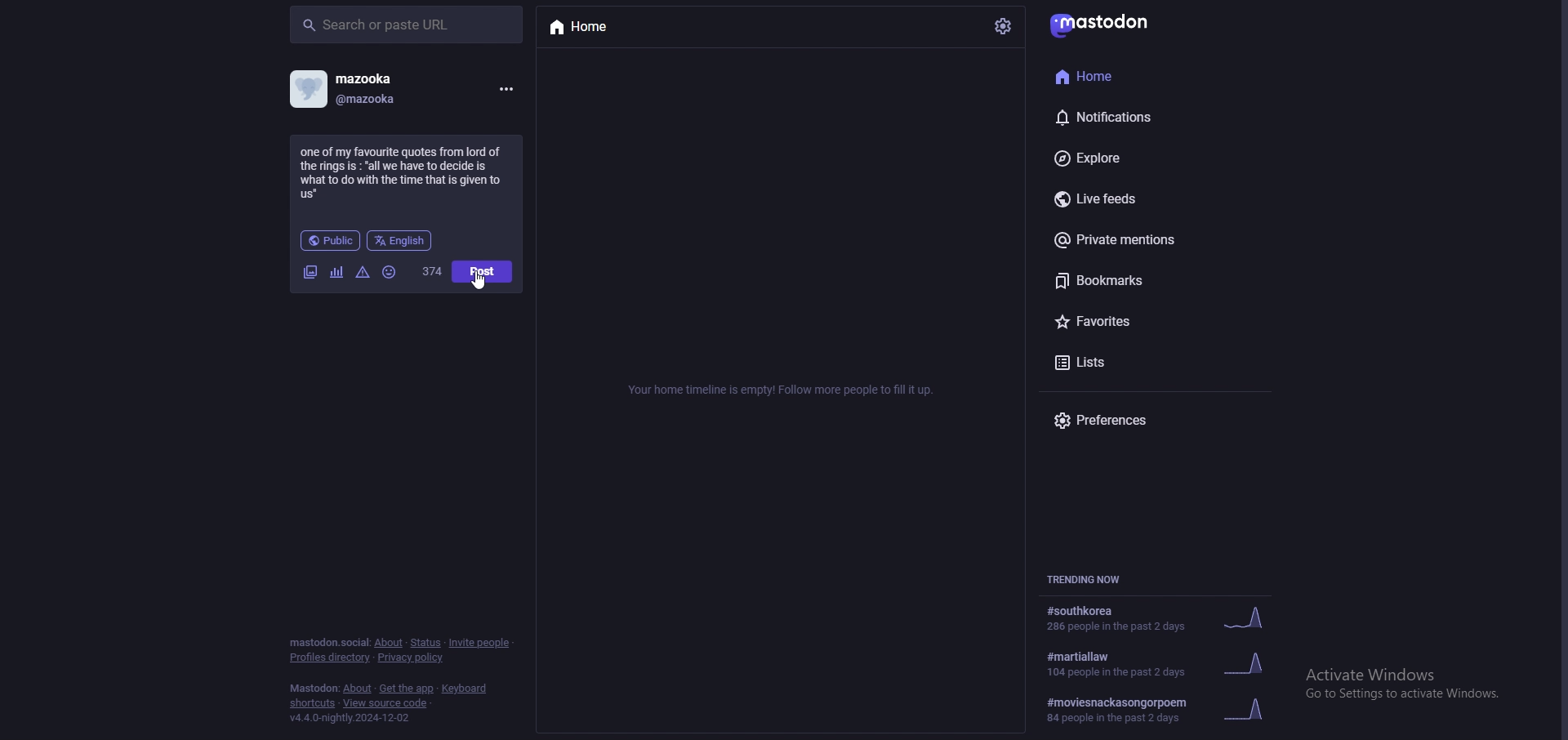 The height and width of the screenshot is (740, 1568). Describe the element at coordinates (408, 172) in the screenshot. I see `one of my favourite quotes from lord ofthe rings is : "all we have to decide iswhat to do with the time that is given to us` at that location.